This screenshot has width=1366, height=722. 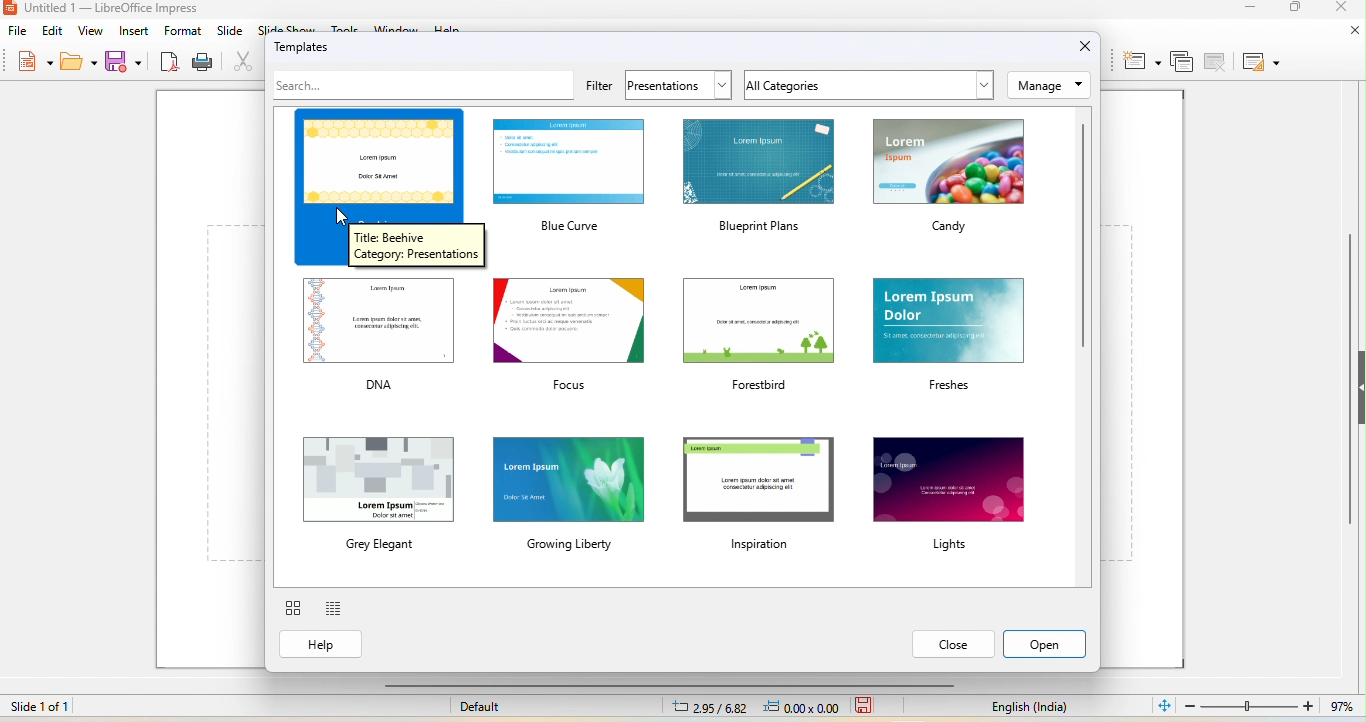 What do you see at coordinates (126, 60) in the screenshot?
I see `save` at bounding box center [126, 60].